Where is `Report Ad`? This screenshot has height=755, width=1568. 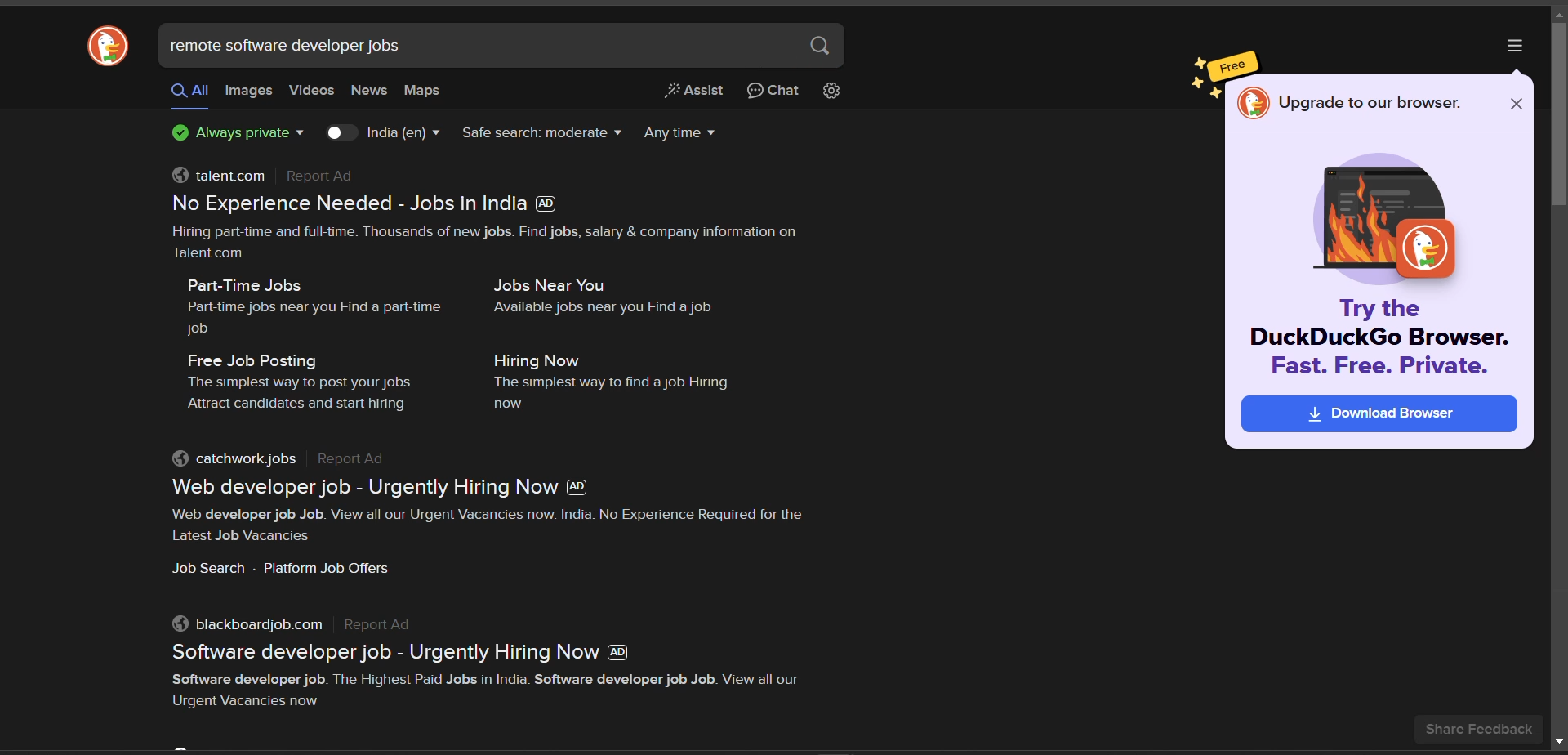 Report Ad is located at coordinates (387, 625).